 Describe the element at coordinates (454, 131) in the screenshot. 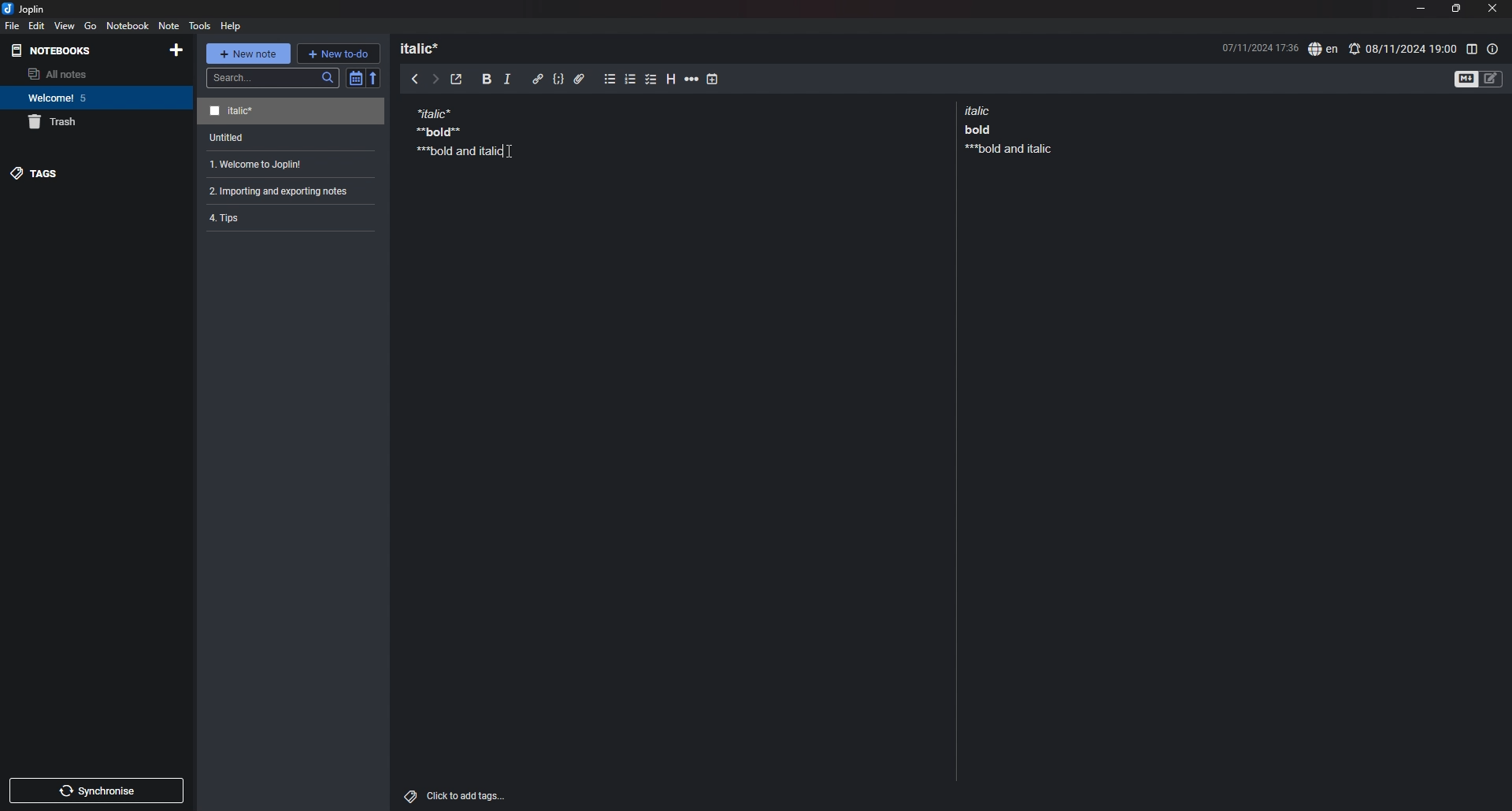

I see `note` at that location.